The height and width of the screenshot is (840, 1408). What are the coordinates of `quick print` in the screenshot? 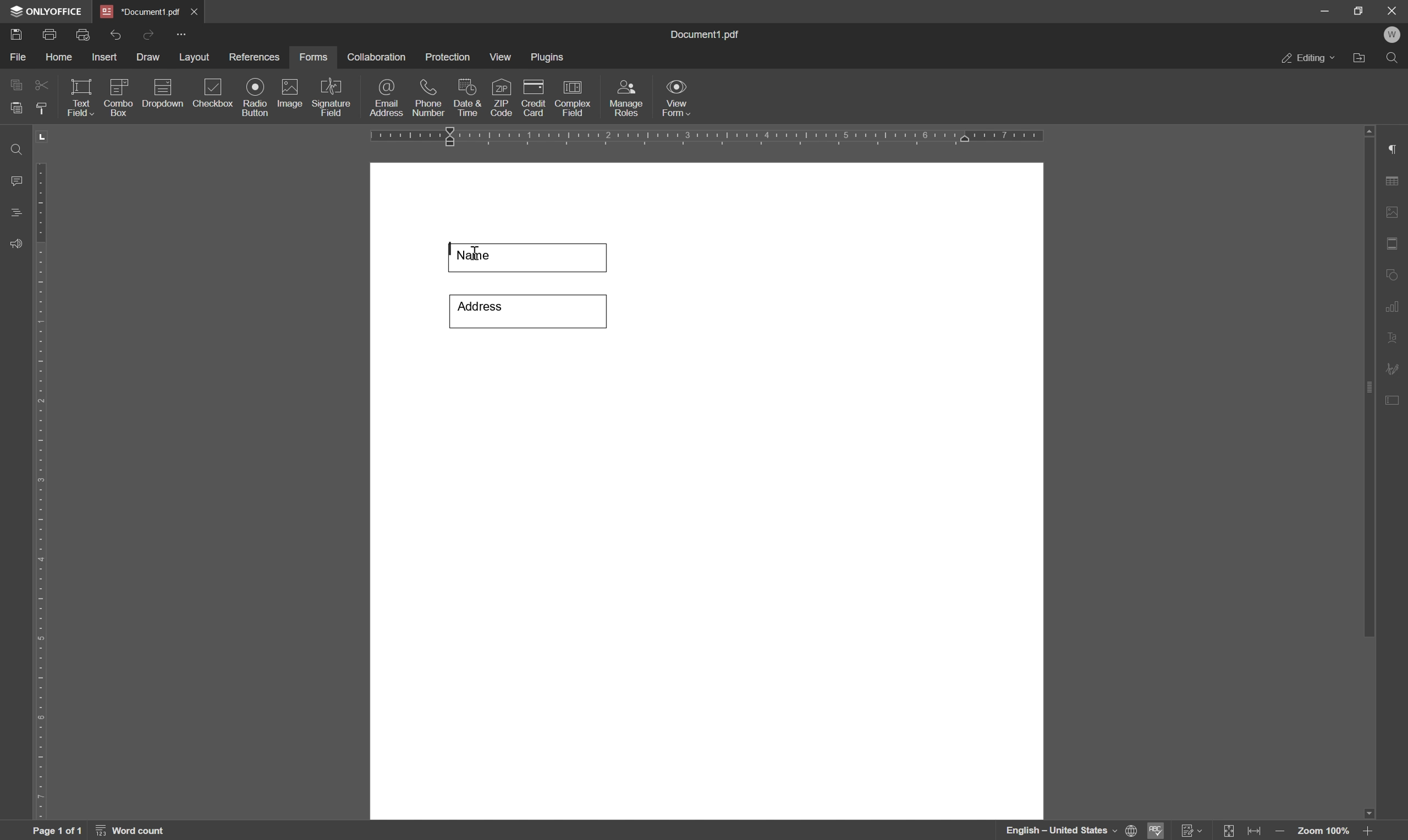 It's located at (80, 33).